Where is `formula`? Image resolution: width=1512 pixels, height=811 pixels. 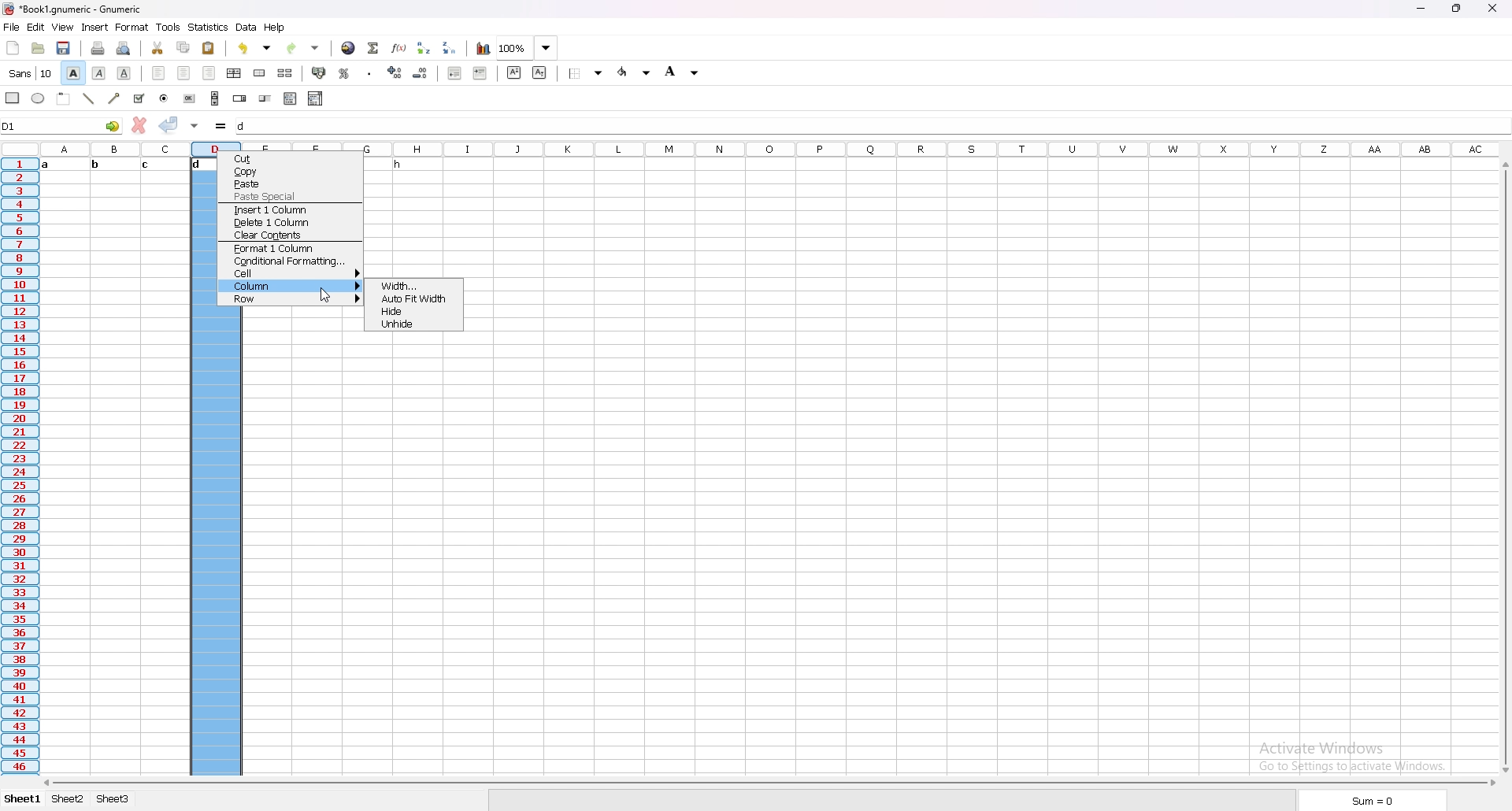 formula is located at coordinates (222, 126).